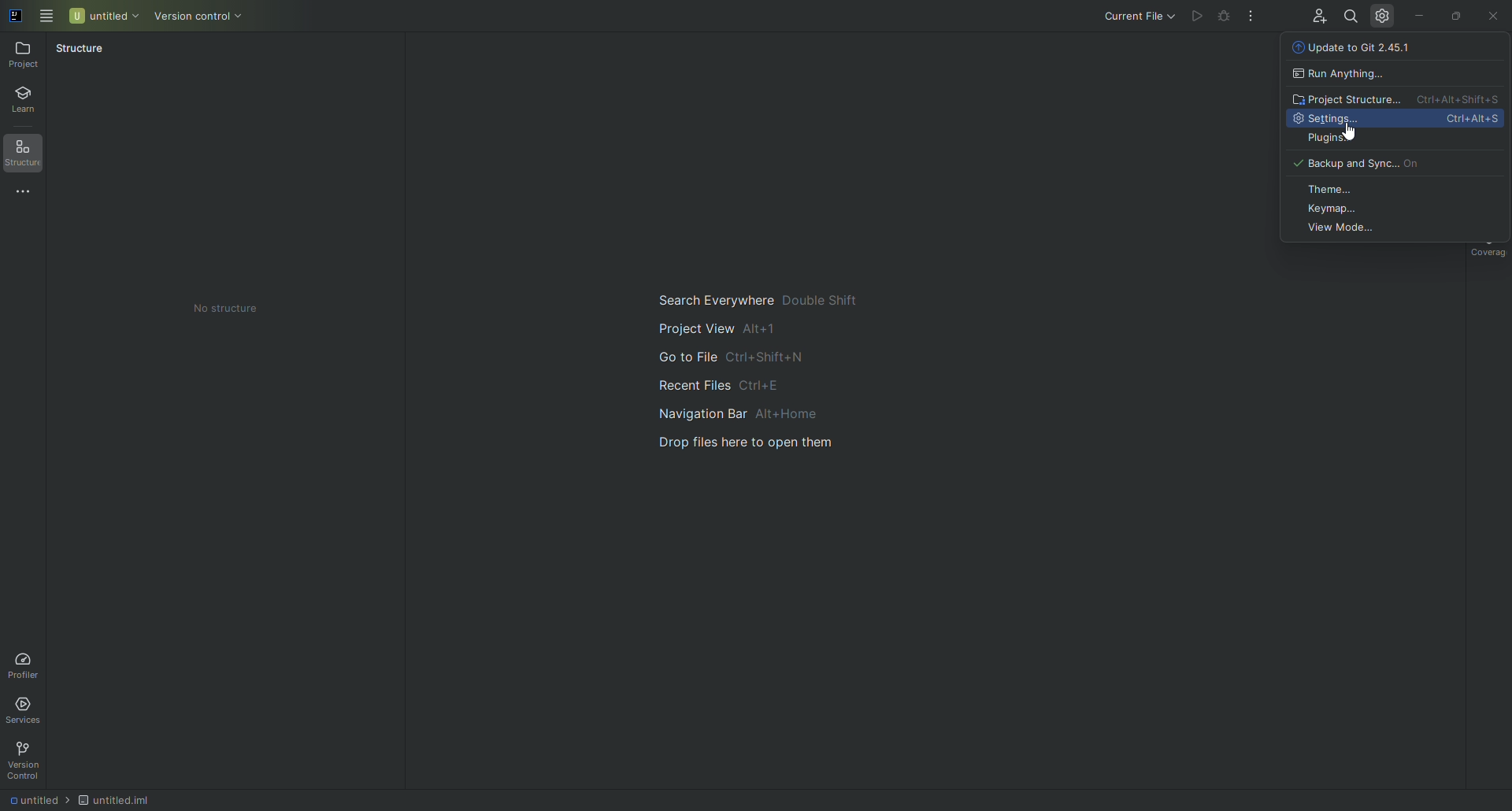  I want to click on Main navigation, so click(757, 371).